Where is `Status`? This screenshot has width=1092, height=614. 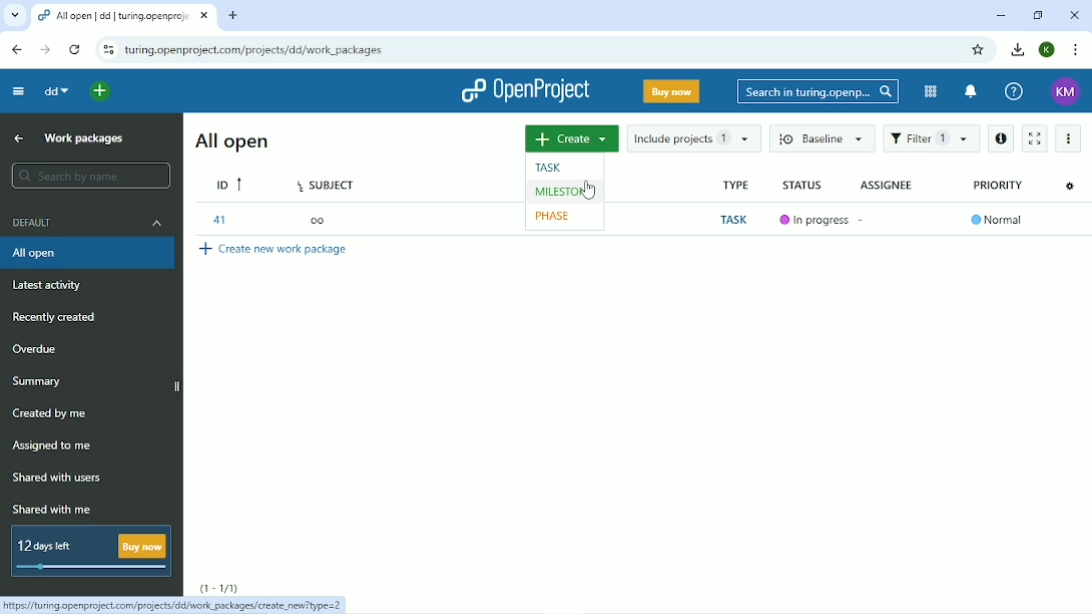
Status is located at coordinates (803, 184).